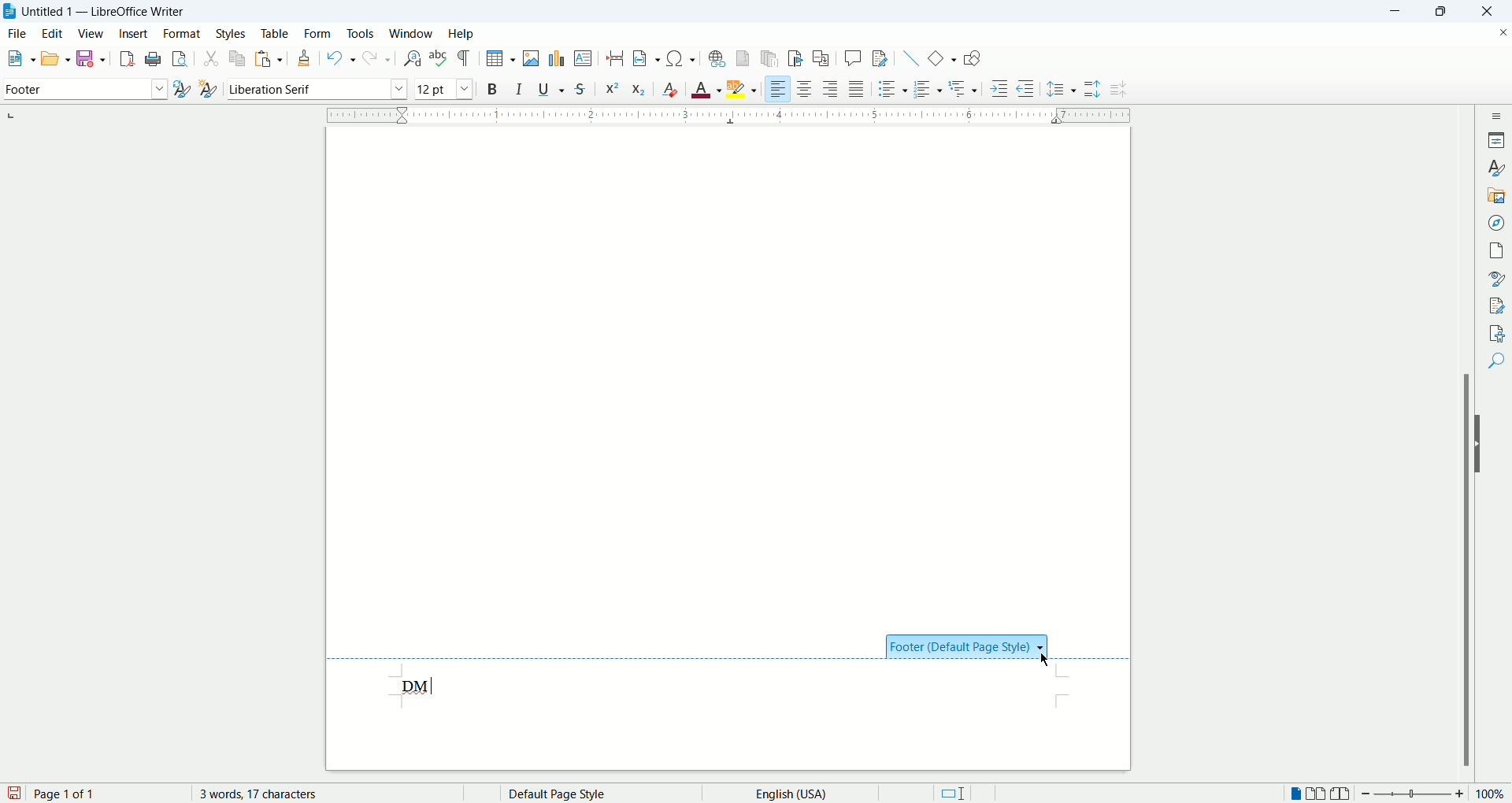 The image size is (1512, 803). What do you see at coordinates (17, 60) in the screenshot?
I see `open` at bounding box center [17, 60].